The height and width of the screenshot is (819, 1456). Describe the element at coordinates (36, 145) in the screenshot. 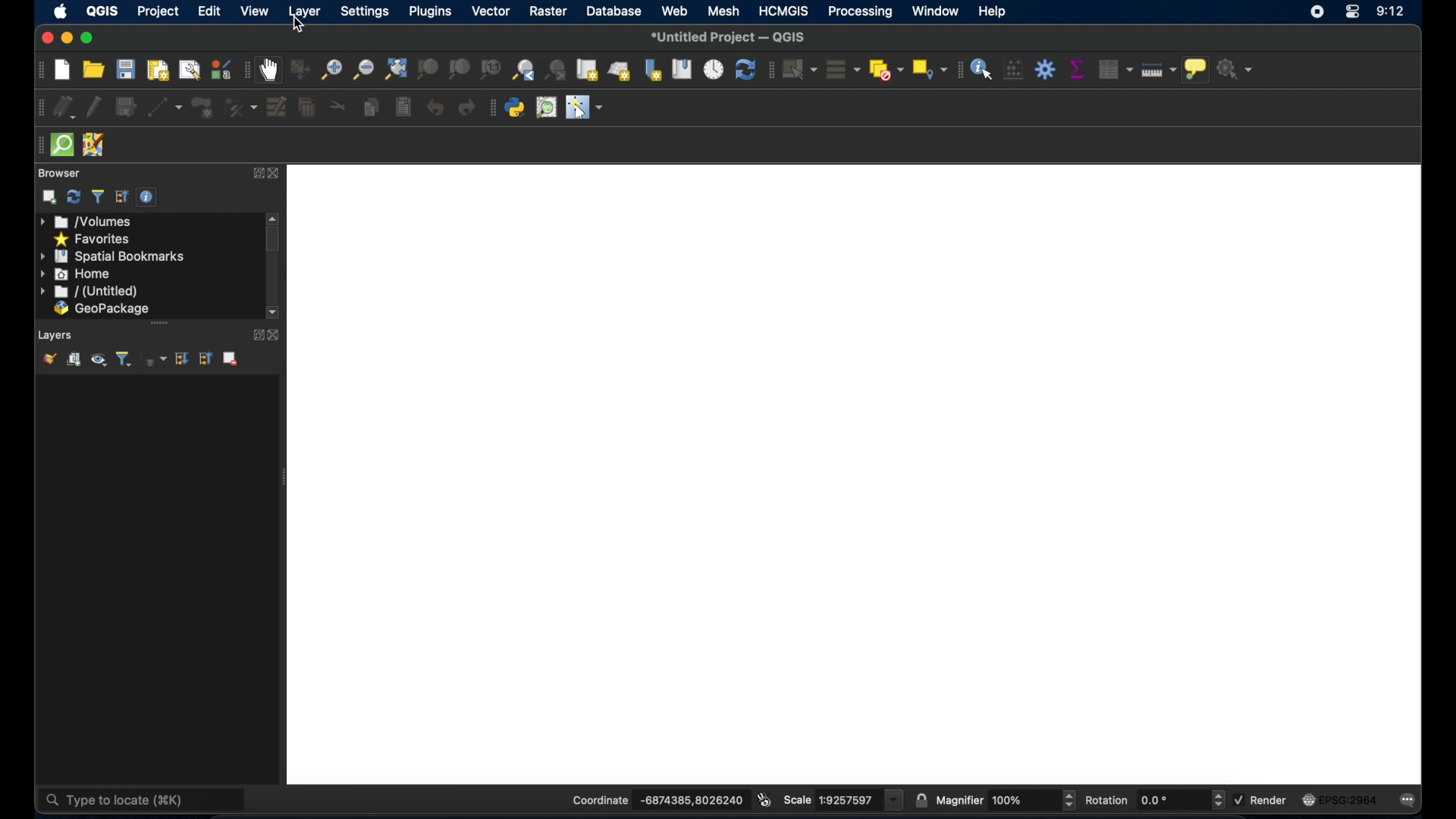

I see `drag handle` at that location.